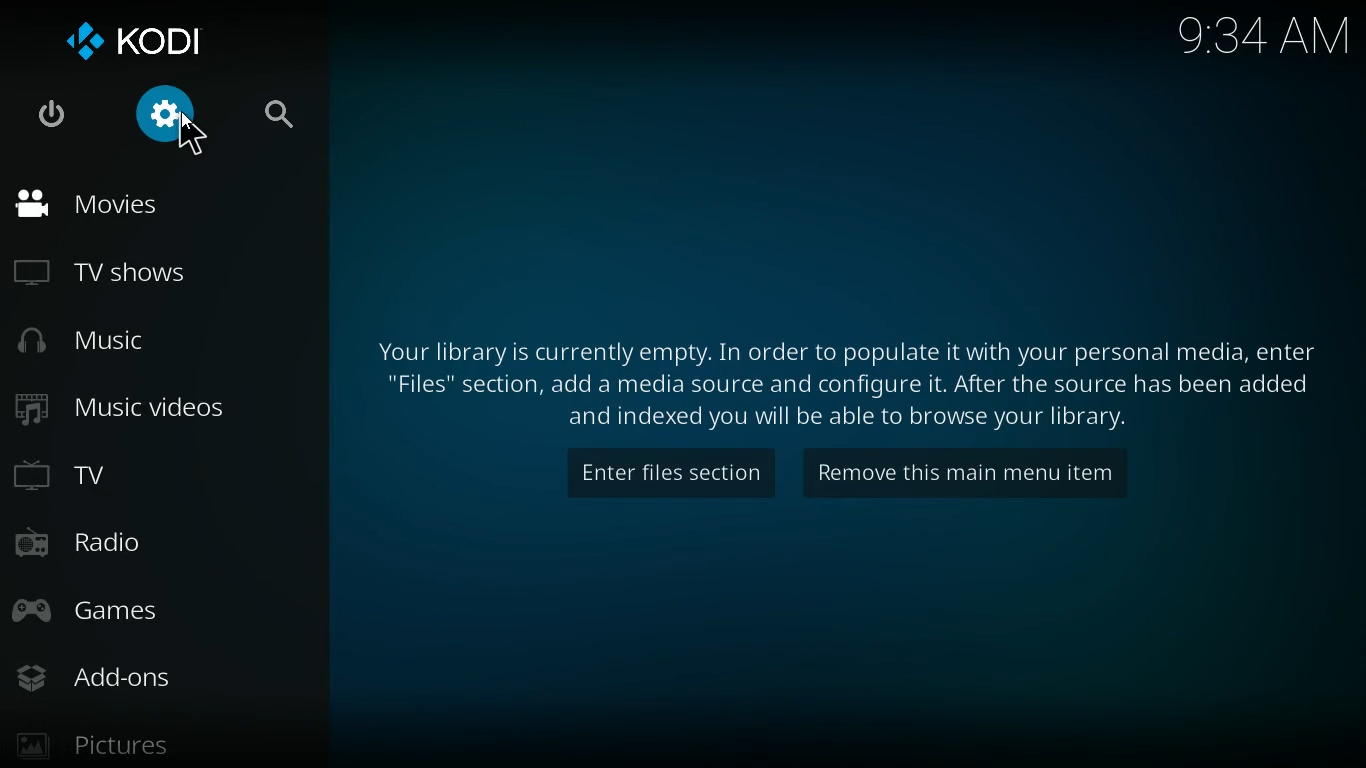 This screenshot has height=768, width=1366. Describe the element at coordinates (121, 275) in the screenshot. I see `tv shows` at that location.